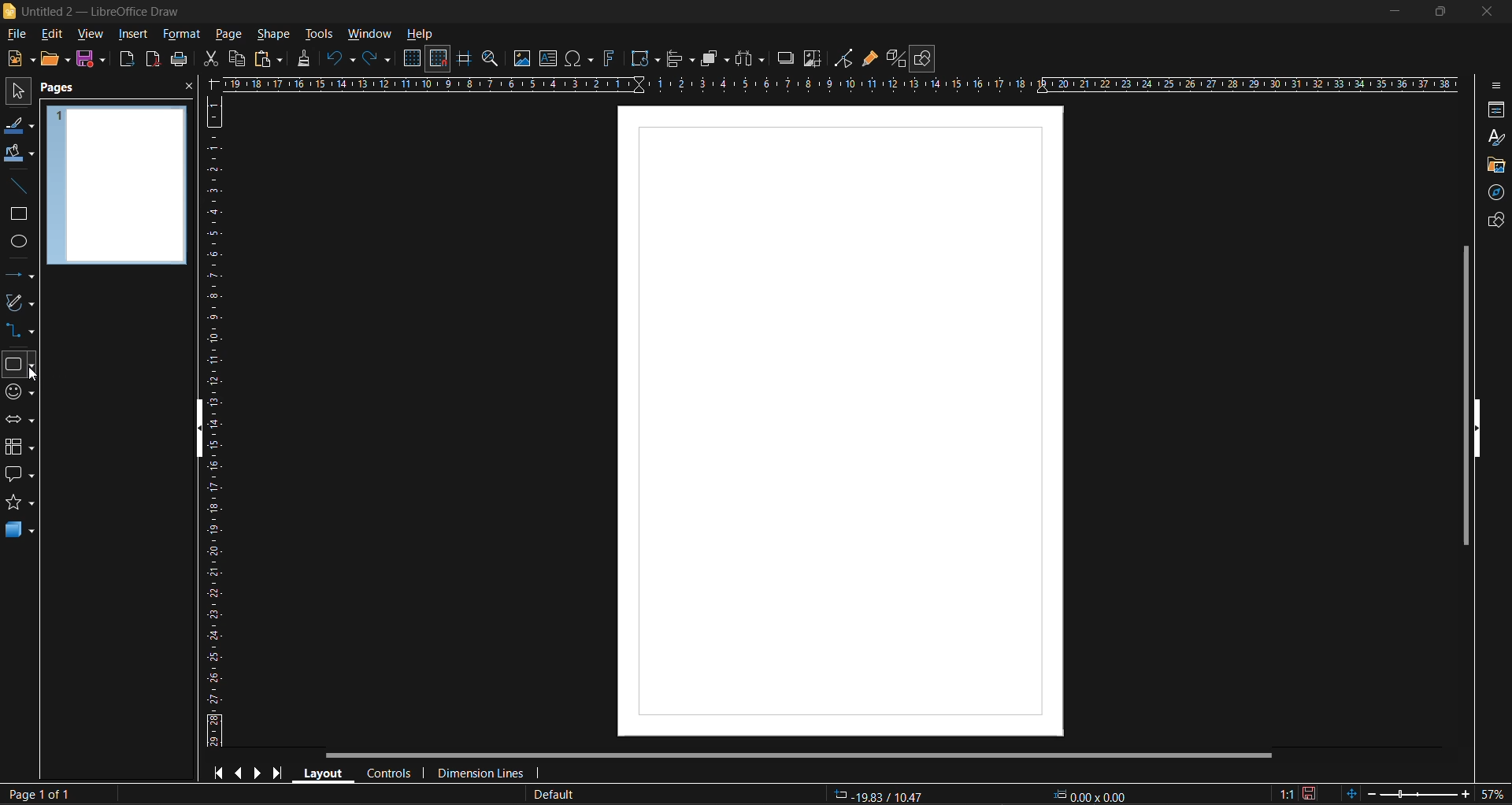  Describe the element at coordinates (1495, 168) in the screenshot. I see `gallery` at that location.